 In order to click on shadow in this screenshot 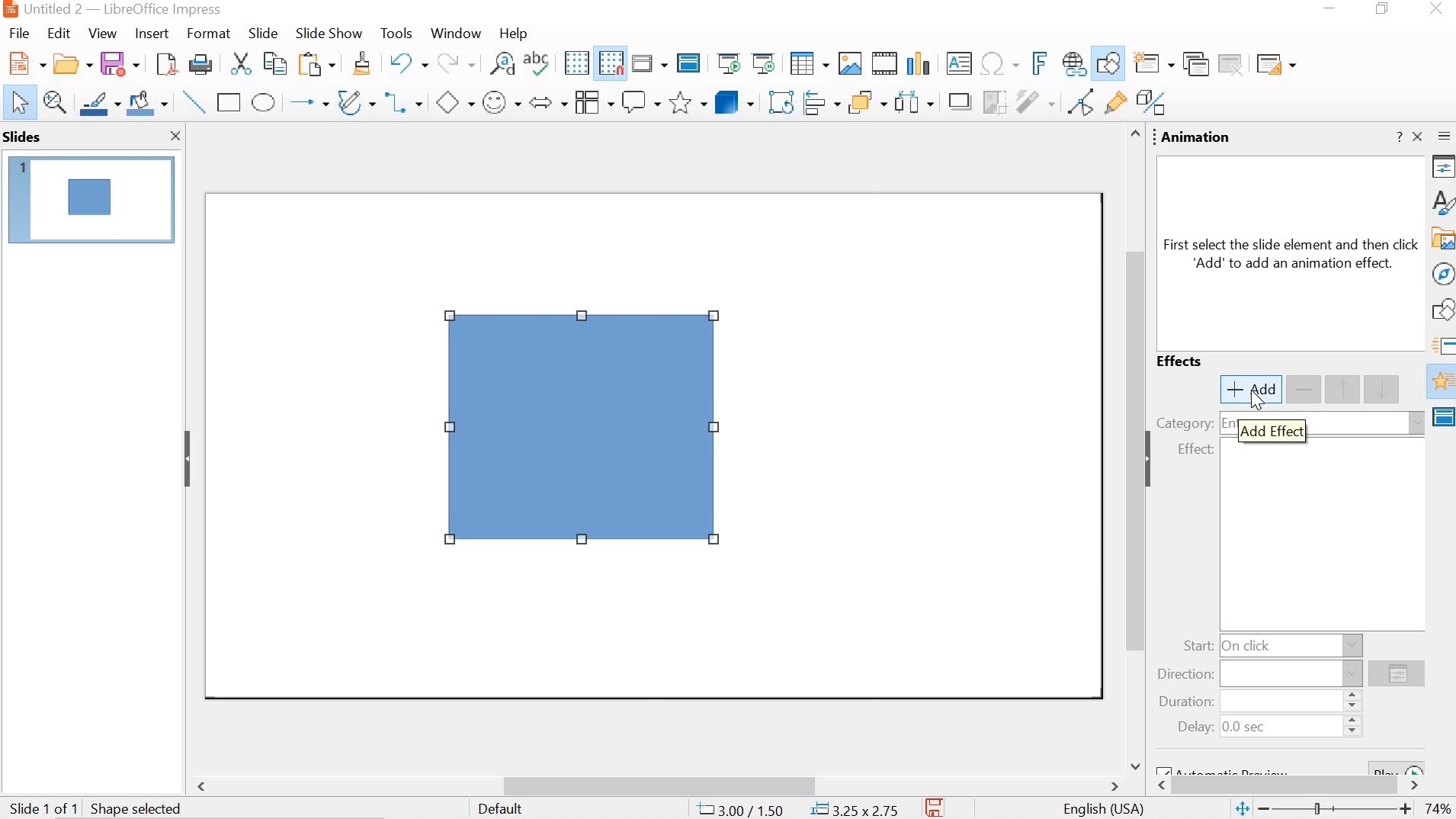, I will do `click(954, 100)`.